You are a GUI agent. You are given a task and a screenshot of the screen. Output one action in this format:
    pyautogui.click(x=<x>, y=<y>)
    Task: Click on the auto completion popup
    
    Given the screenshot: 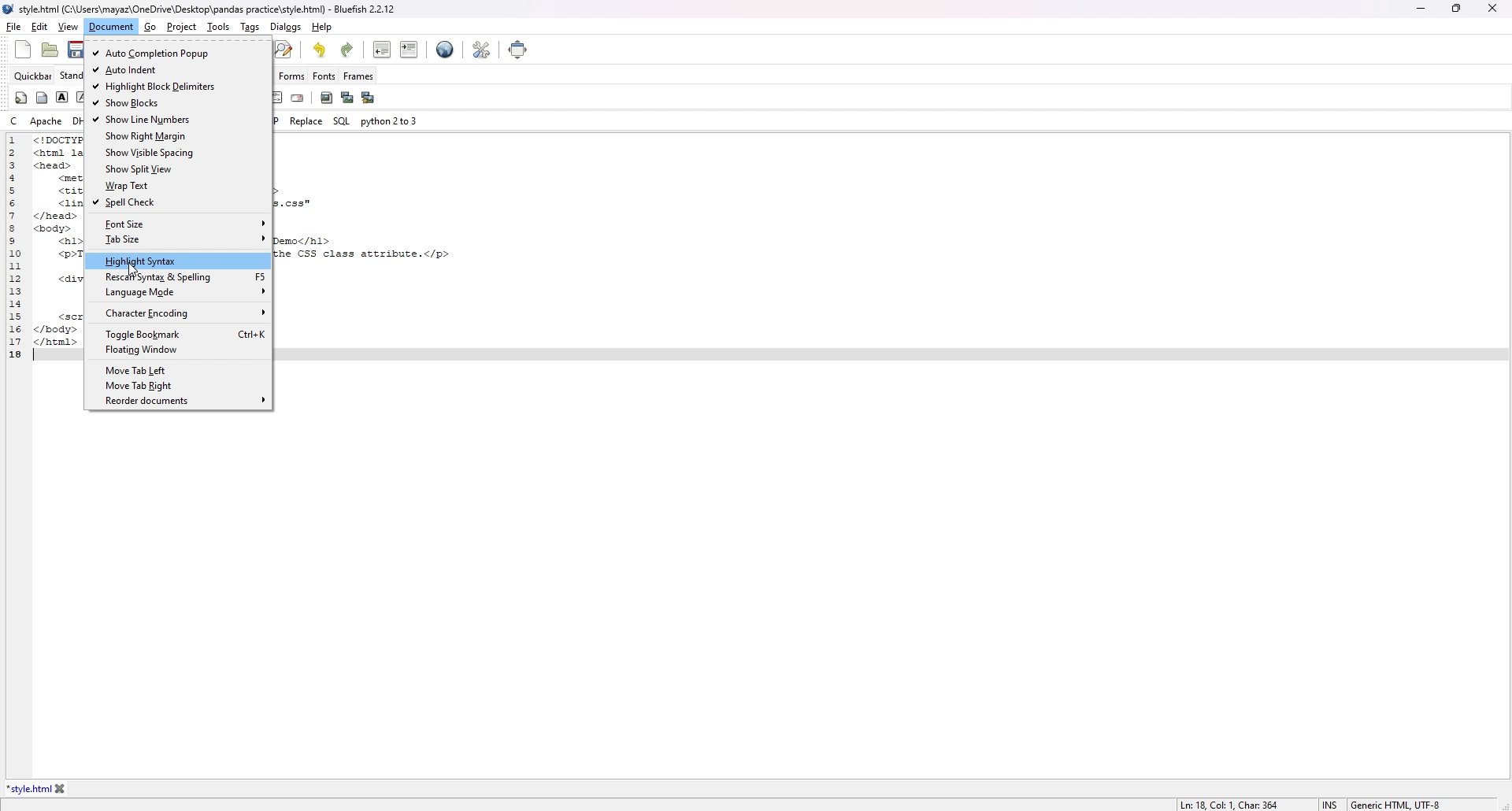 What is the action you would take?
    pyautogui.click(x=179, y=54)
    